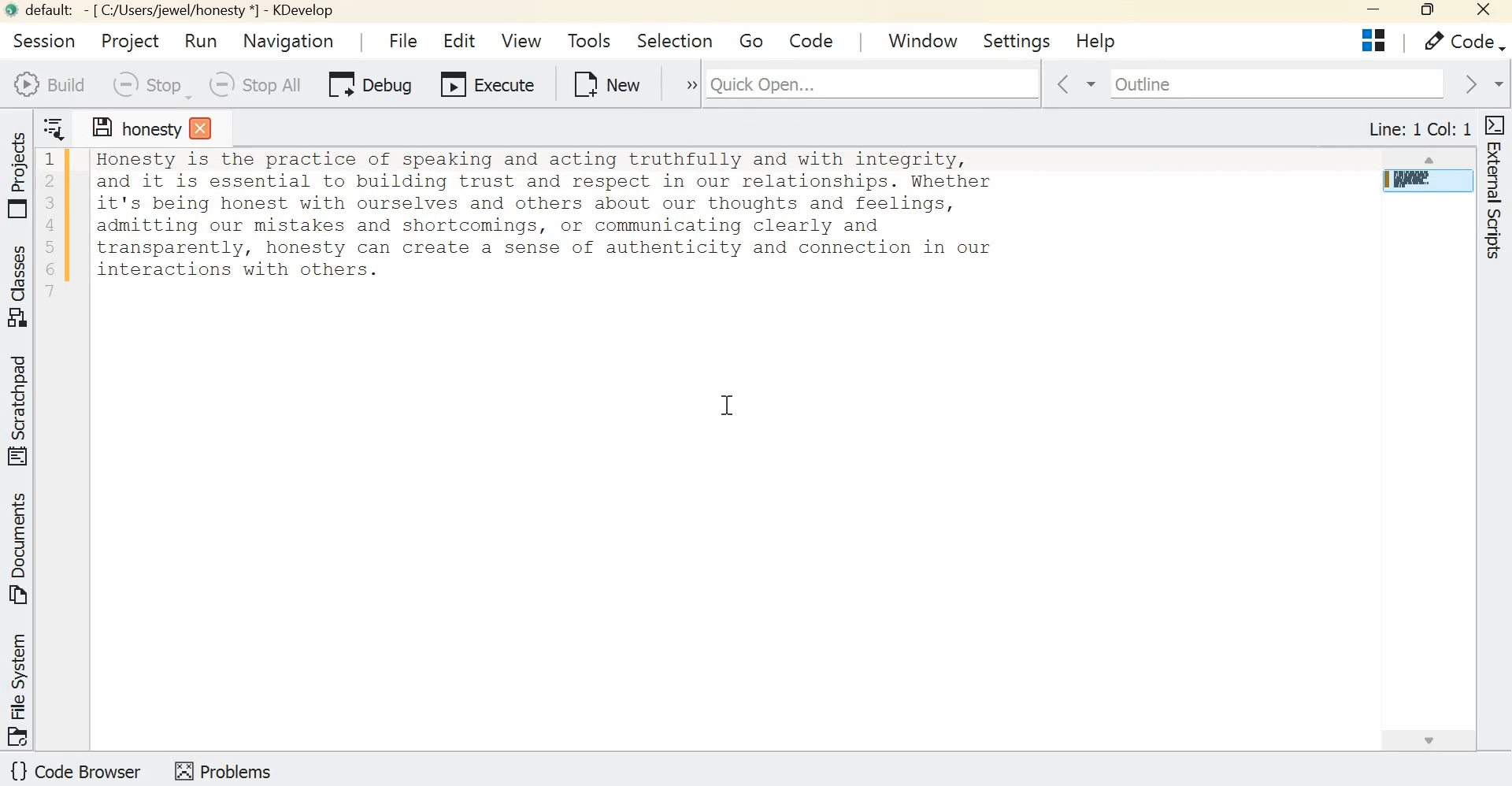 This screenshot has height=786, width=1512. What do you see at coordinates (980, 81) in the screenshot?
I see `Search for files, classes, functions and more, allowing you to quickly navigate in your source code` at bounding box center [980, 81].